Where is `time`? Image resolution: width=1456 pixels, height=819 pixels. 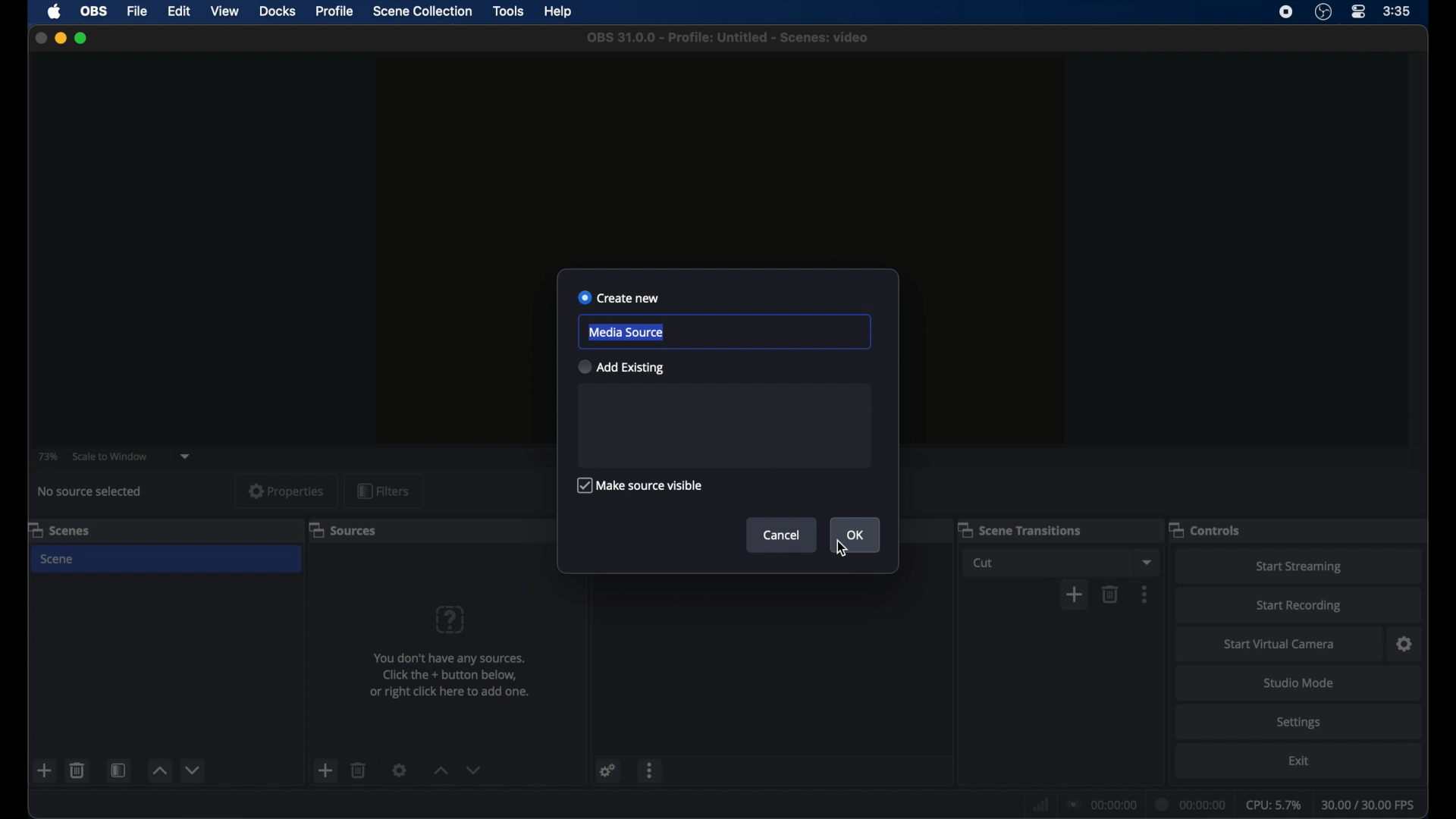
time is located at coordinates (1397, 11).